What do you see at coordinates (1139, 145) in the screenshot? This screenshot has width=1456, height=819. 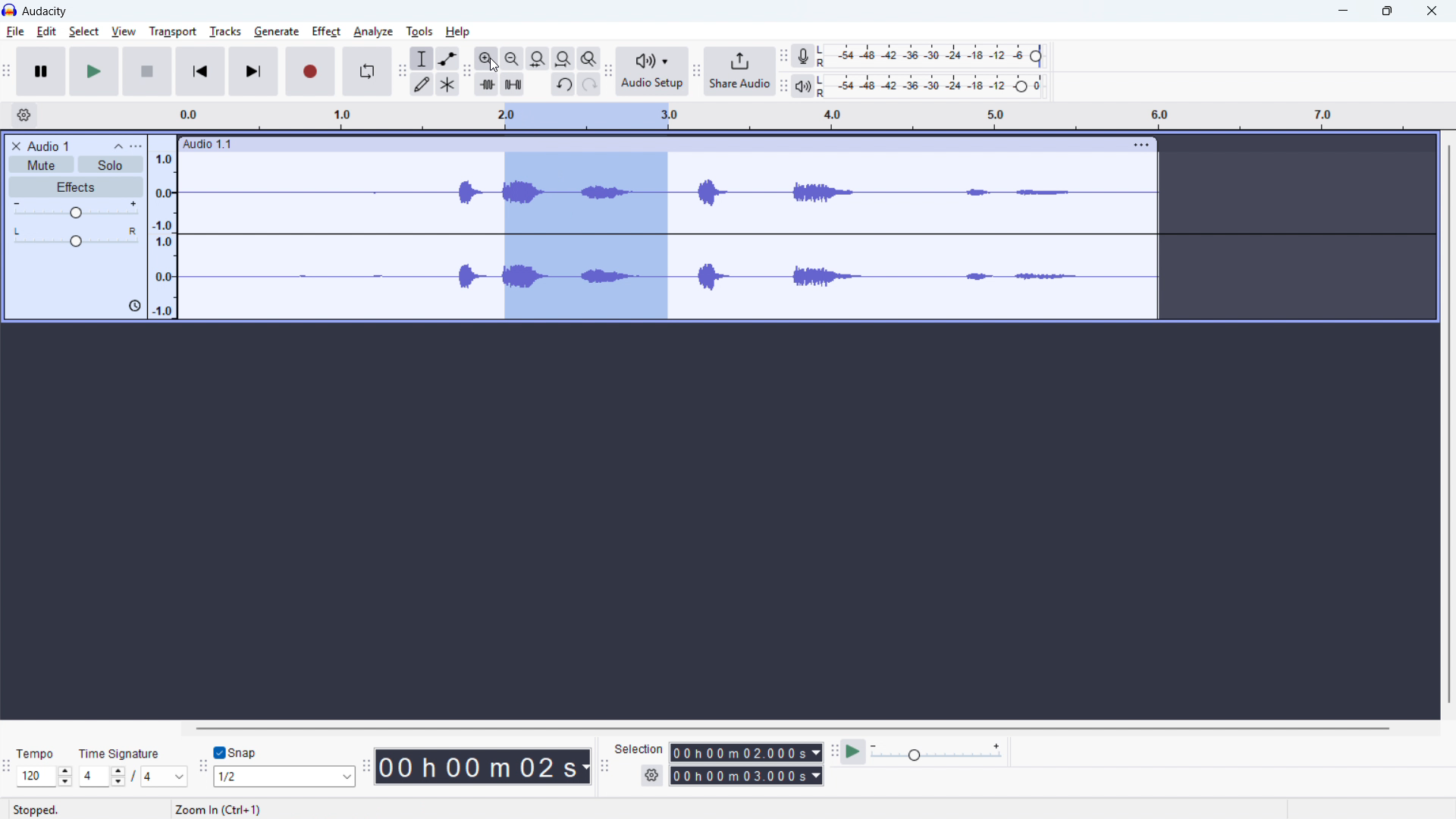 I see `Track options` at bounding box center [1139, 145].